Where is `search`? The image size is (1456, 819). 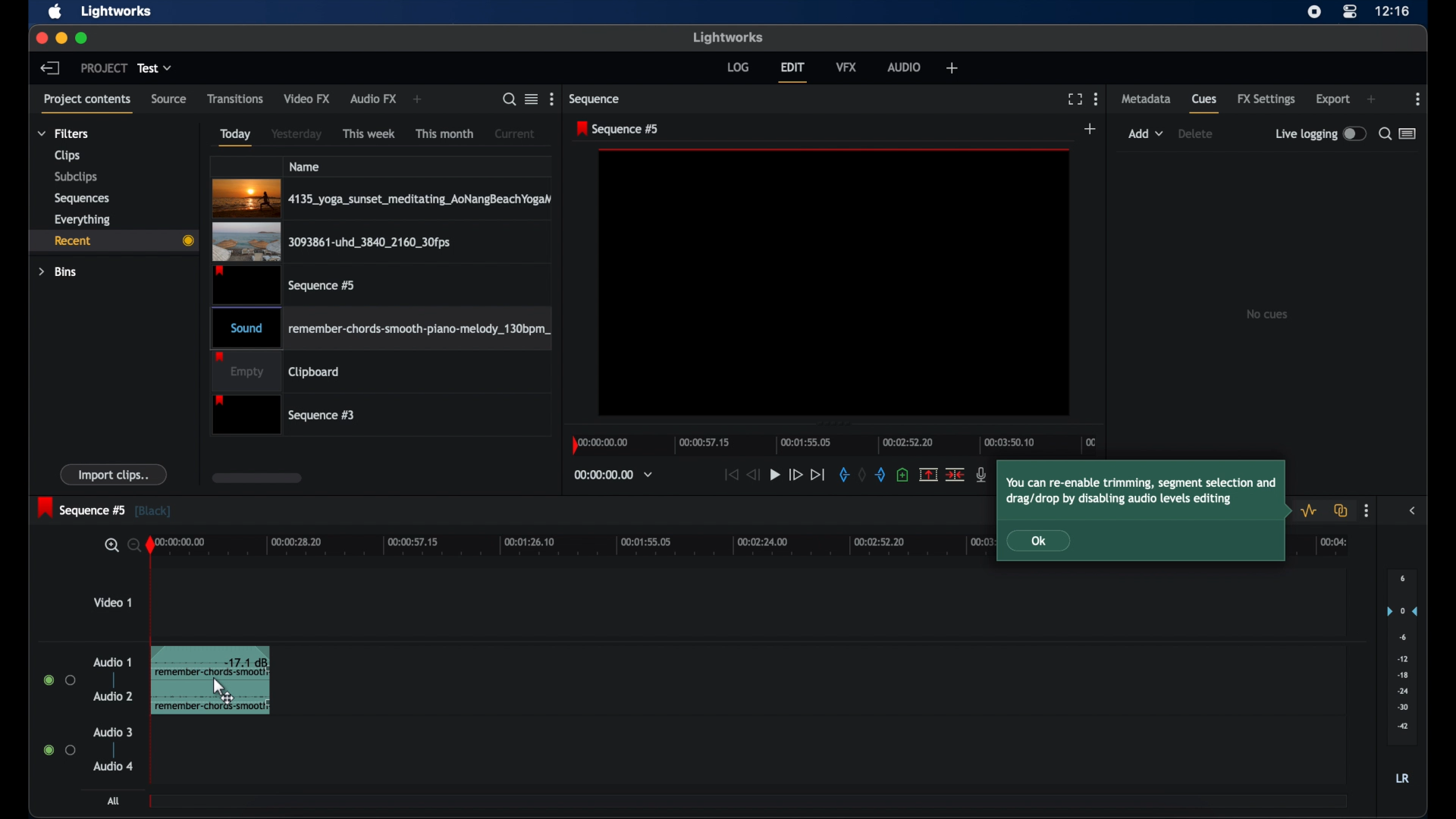
search is located at coordinates (509, 99).